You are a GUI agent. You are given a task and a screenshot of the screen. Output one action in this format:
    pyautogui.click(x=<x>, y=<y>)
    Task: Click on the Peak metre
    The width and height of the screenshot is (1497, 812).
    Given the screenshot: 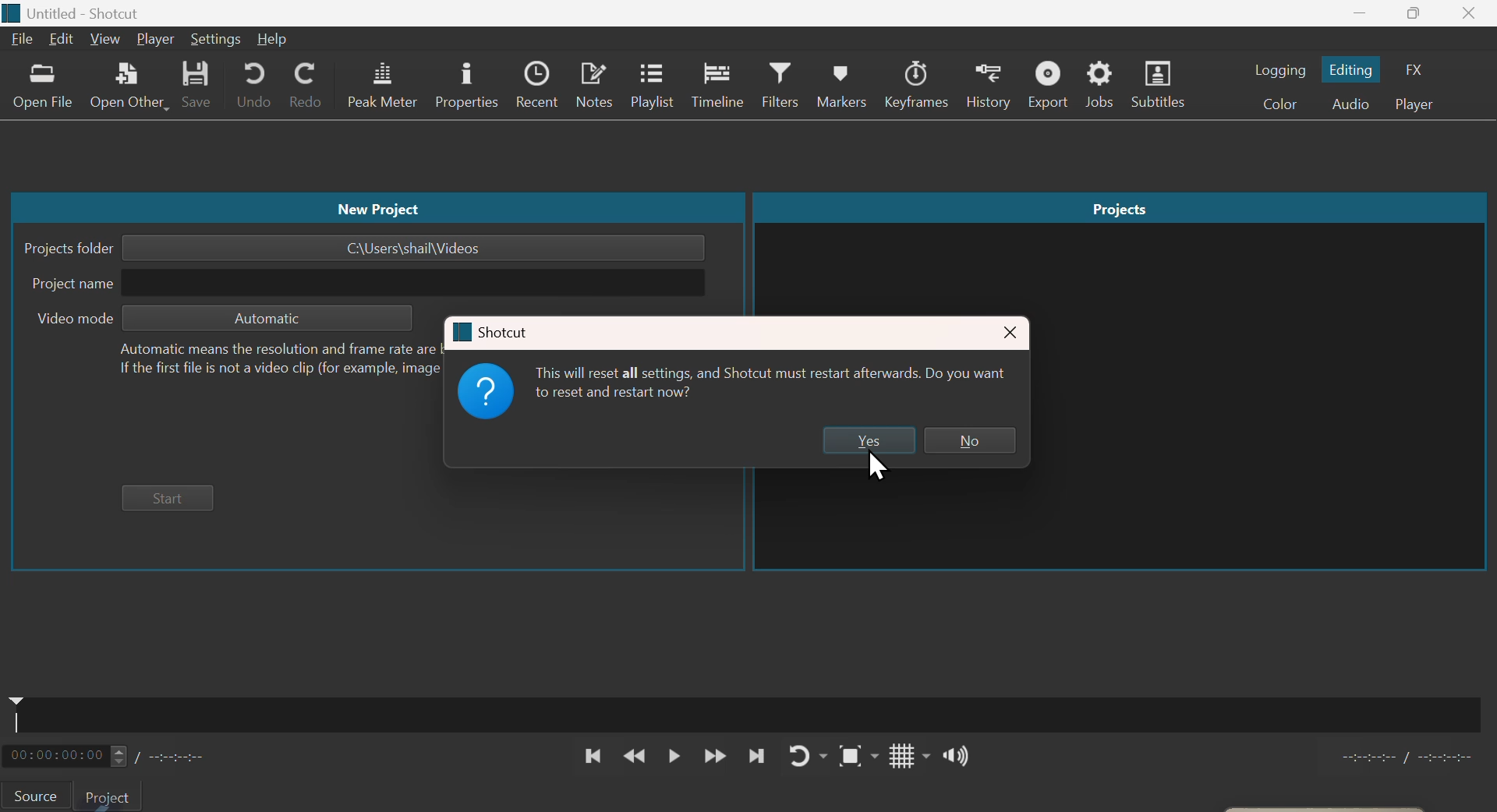 What is the action you would take?
    pyautogui.click(x=381, y=85)
    